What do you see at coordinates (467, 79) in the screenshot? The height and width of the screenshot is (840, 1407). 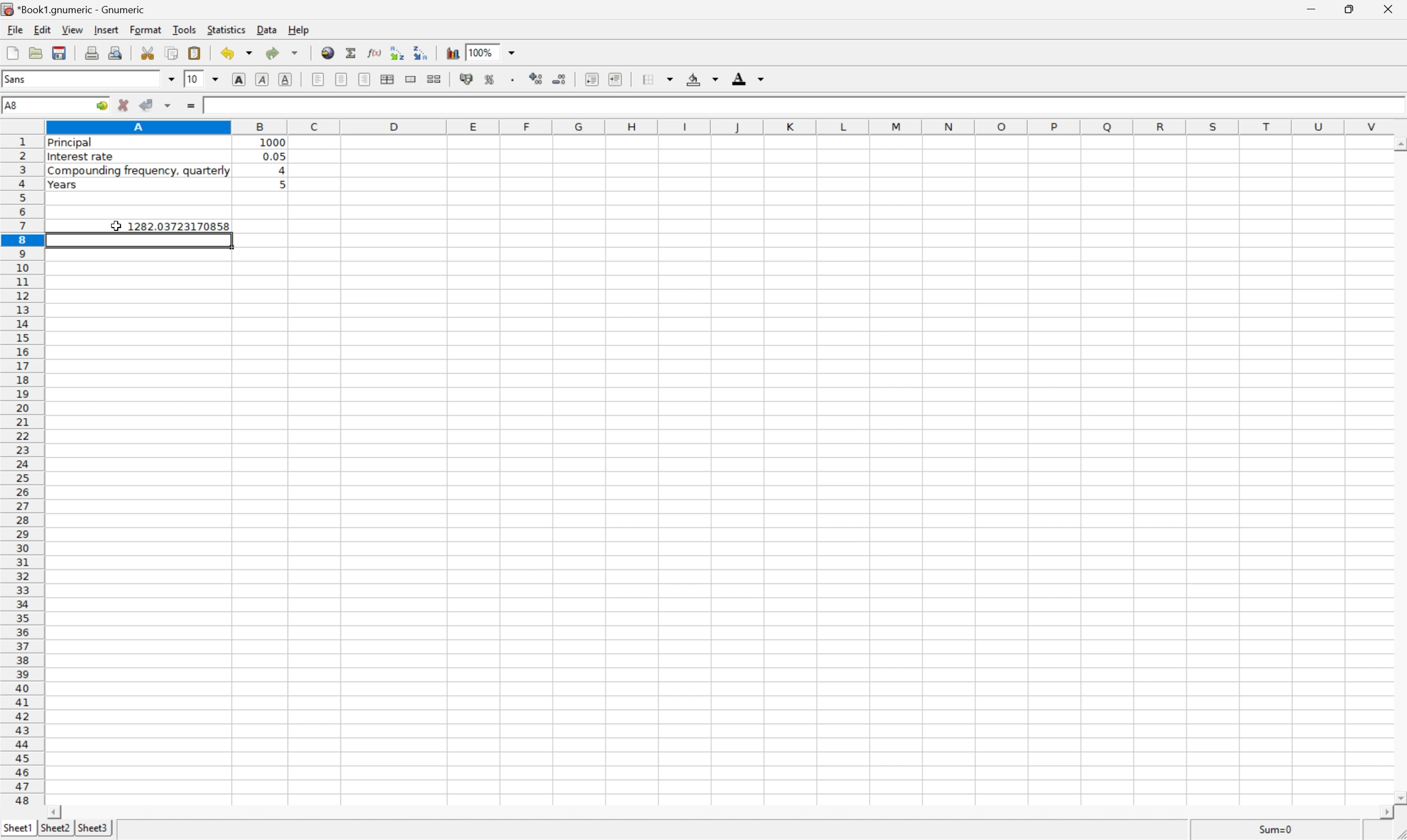 I see `format selection as accounting` at bounding box center [467, 79].